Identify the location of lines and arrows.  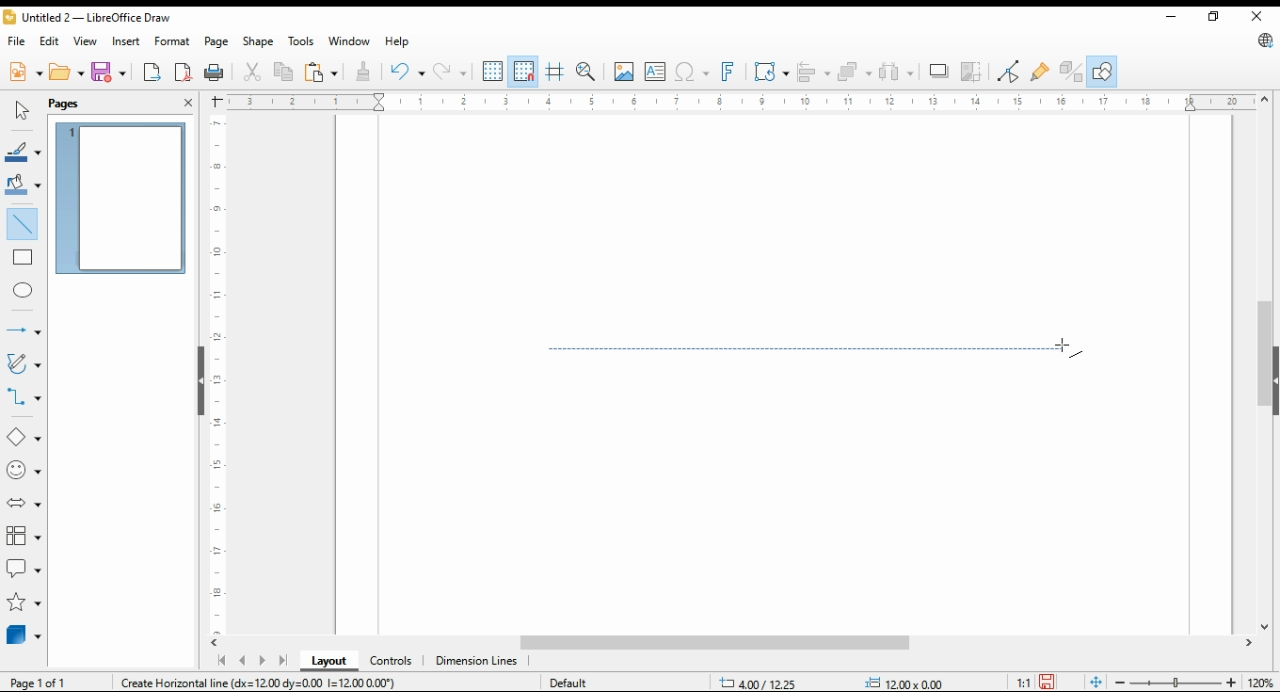
(23, 331).